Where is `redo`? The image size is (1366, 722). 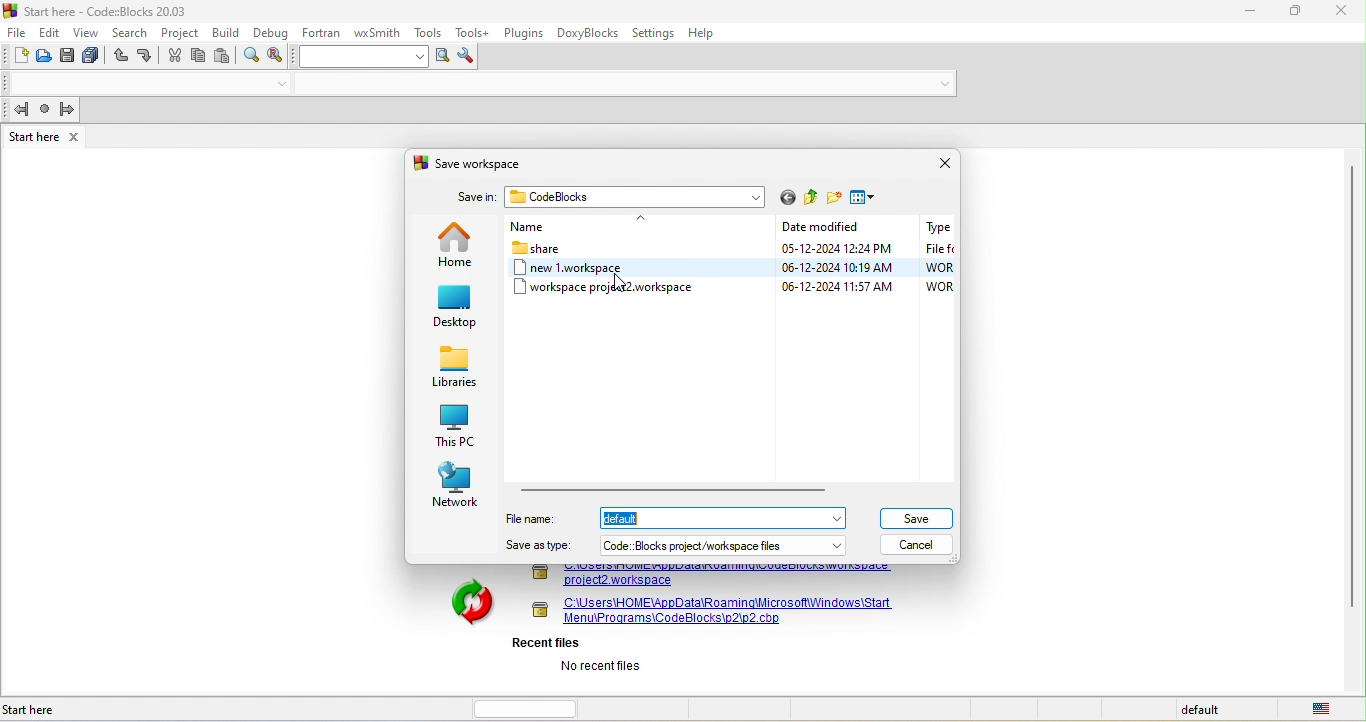 redo is located at coordinates (147, 56).